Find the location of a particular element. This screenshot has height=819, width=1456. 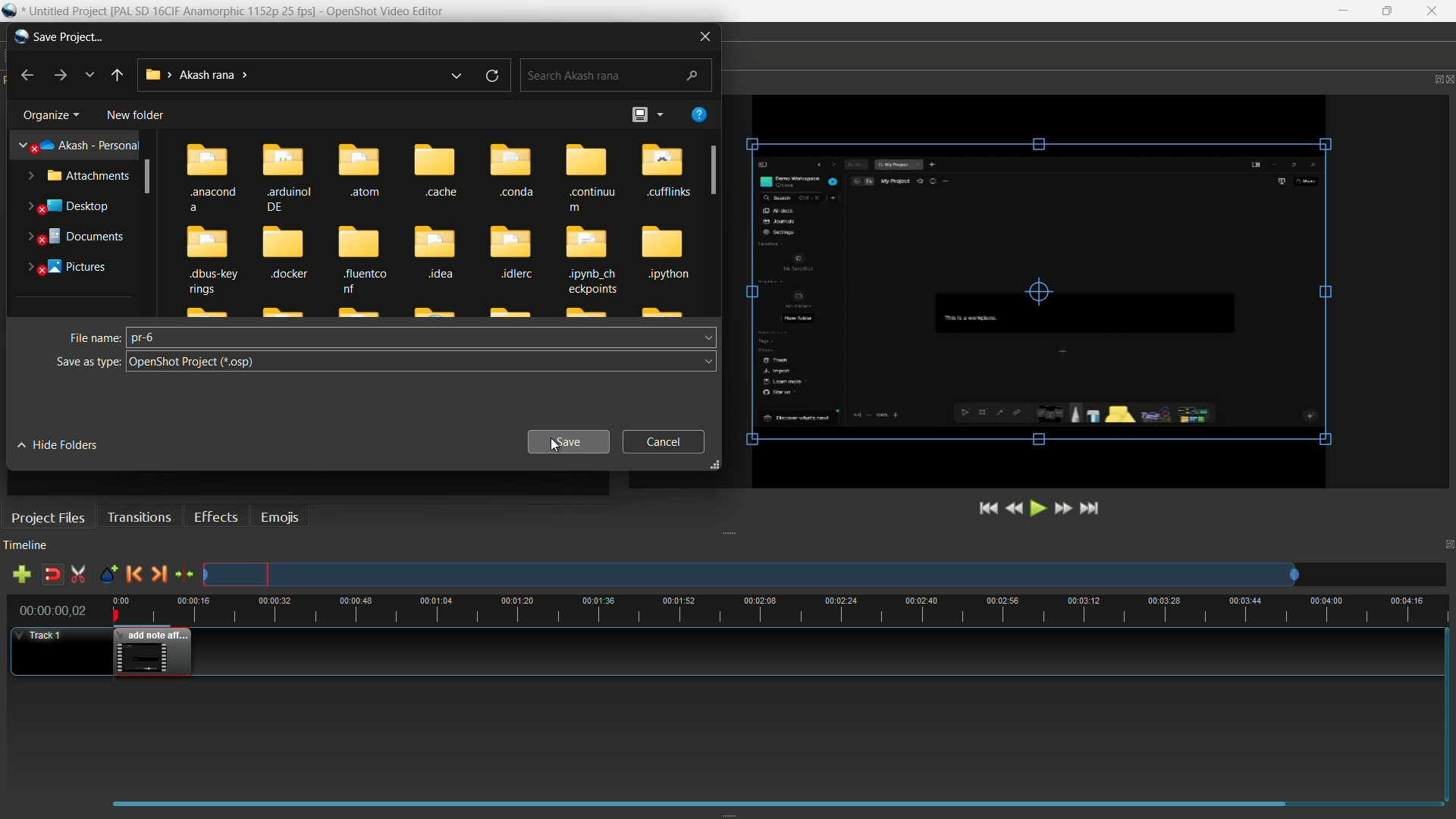

current time is located at coordinates (53, 610).